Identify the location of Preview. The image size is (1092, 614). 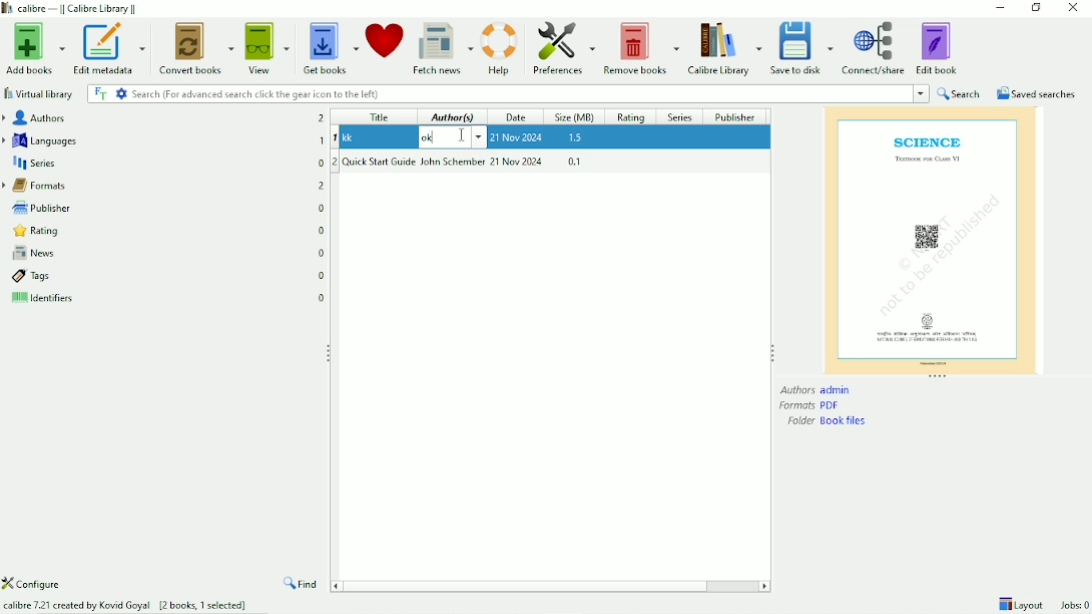
(932, 239).